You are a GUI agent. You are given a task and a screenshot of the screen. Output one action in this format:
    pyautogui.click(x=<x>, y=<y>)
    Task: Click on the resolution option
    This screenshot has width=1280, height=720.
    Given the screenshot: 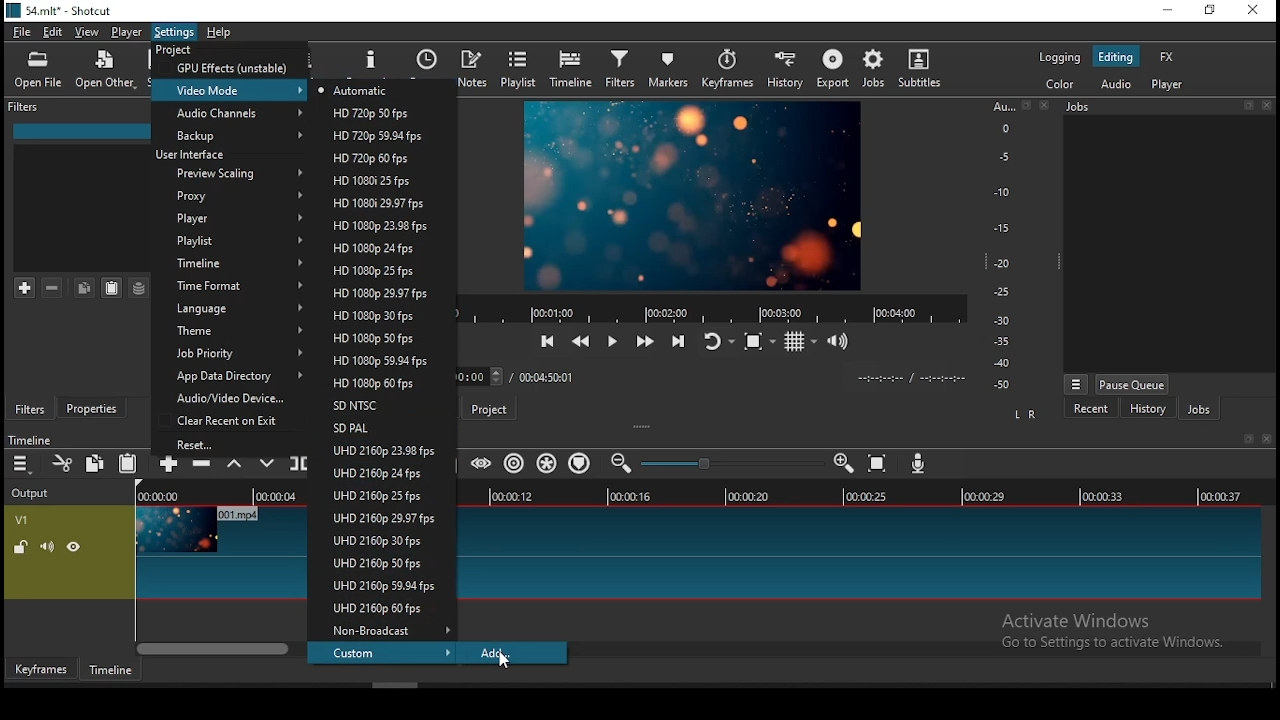 What is the action you would take?
    pyautogui.click(x=379, y=609)
    